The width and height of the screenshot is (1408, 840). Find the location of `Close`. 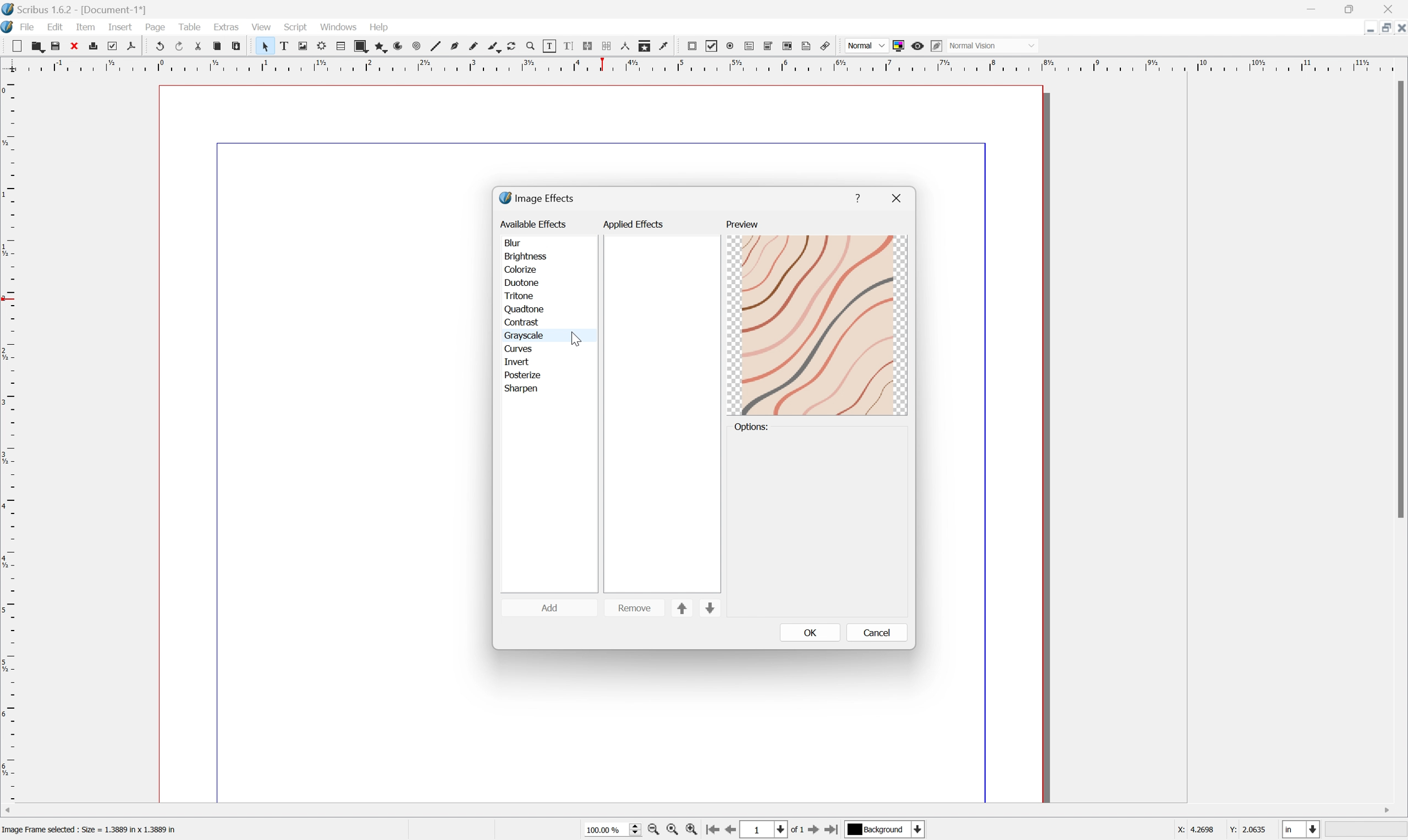

Close is located at coordinates (1399, 28).